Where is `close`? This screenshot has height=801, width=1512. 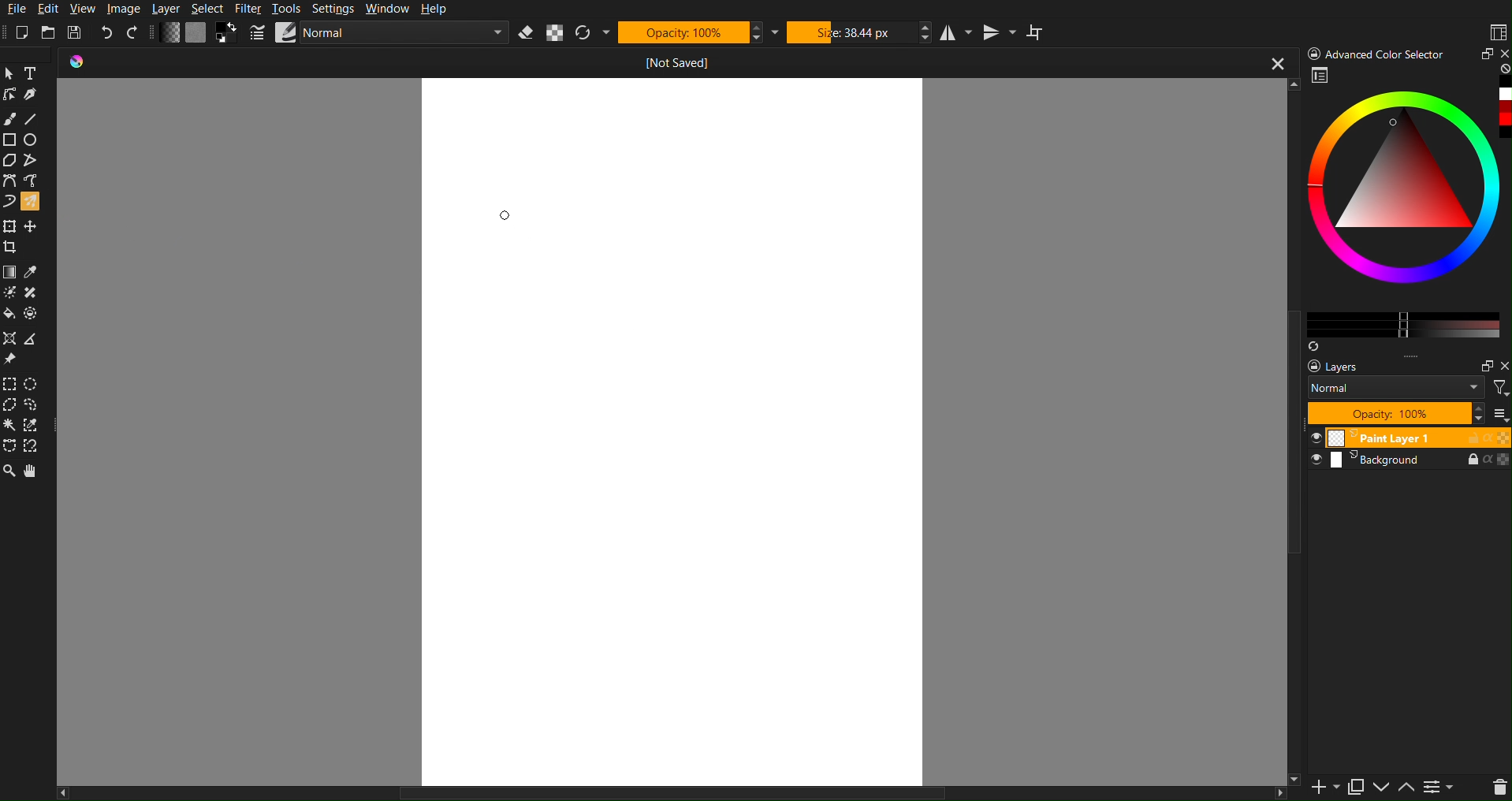
close is located at coordinates (1276, 65).